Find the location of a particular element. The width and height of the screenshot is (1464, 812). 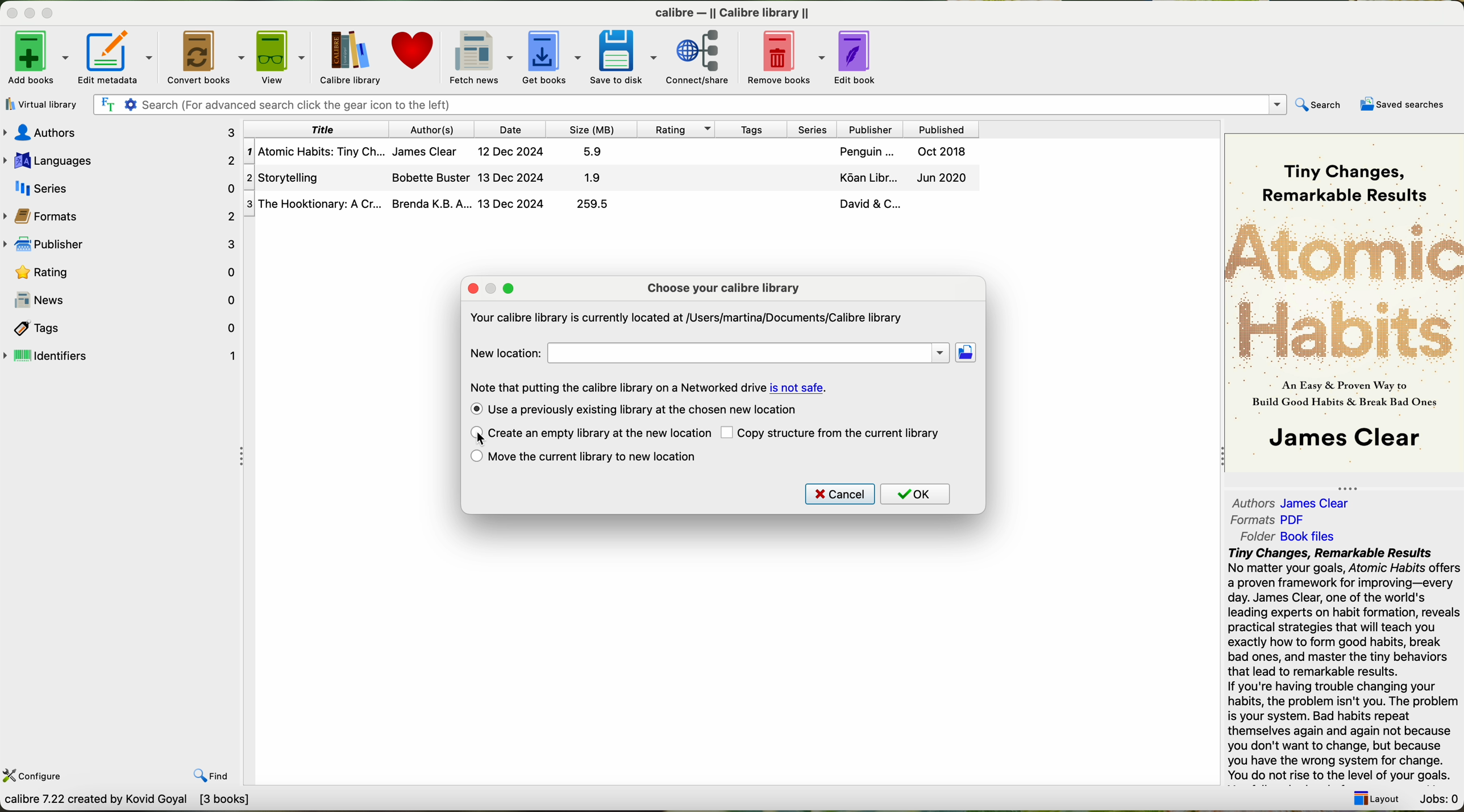

click on create an empty library is located at coordinates (590, 435).